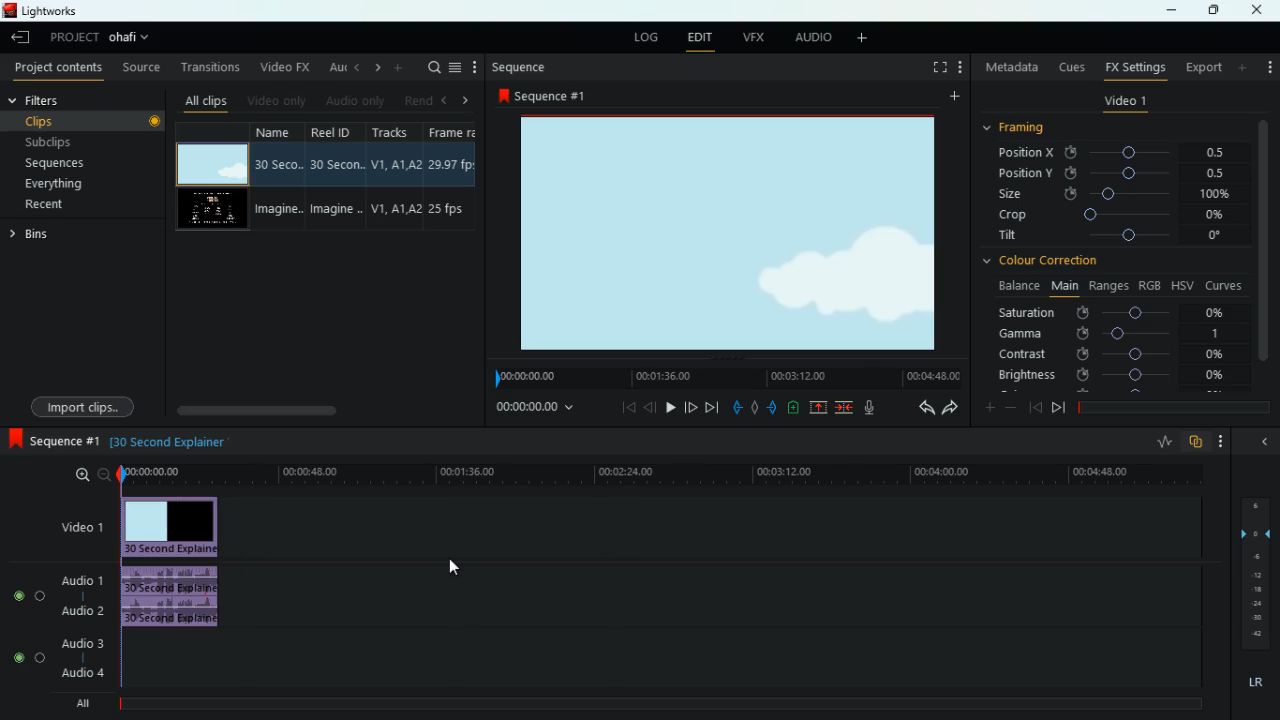 This screenshot has width=1280, height=720. I want to click on zoom, so click(87, 476).